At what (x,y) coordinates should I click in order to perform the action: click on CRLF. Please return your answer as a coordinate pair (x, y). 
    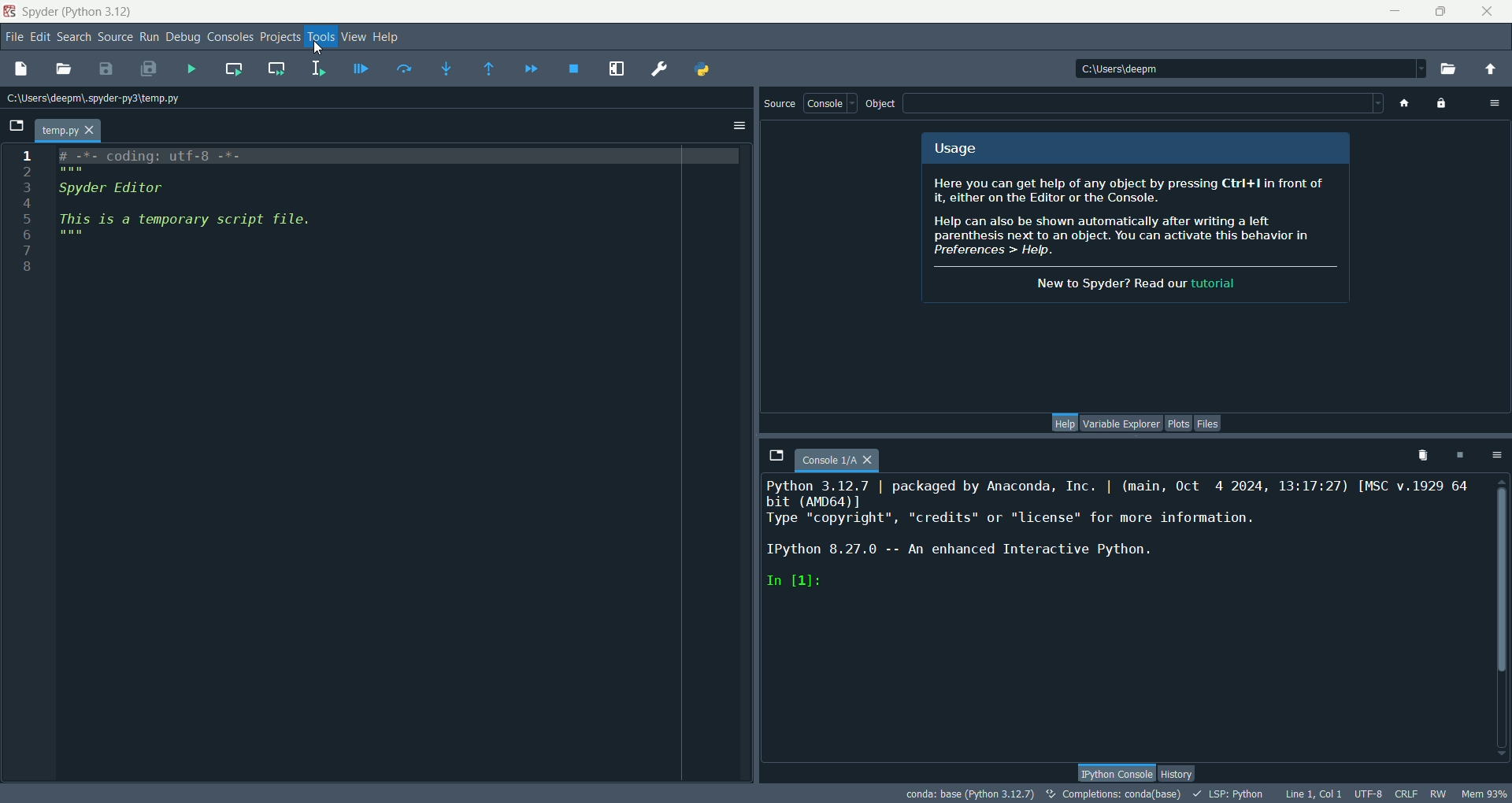
    Looking at the image, I should click on (1410, 794).